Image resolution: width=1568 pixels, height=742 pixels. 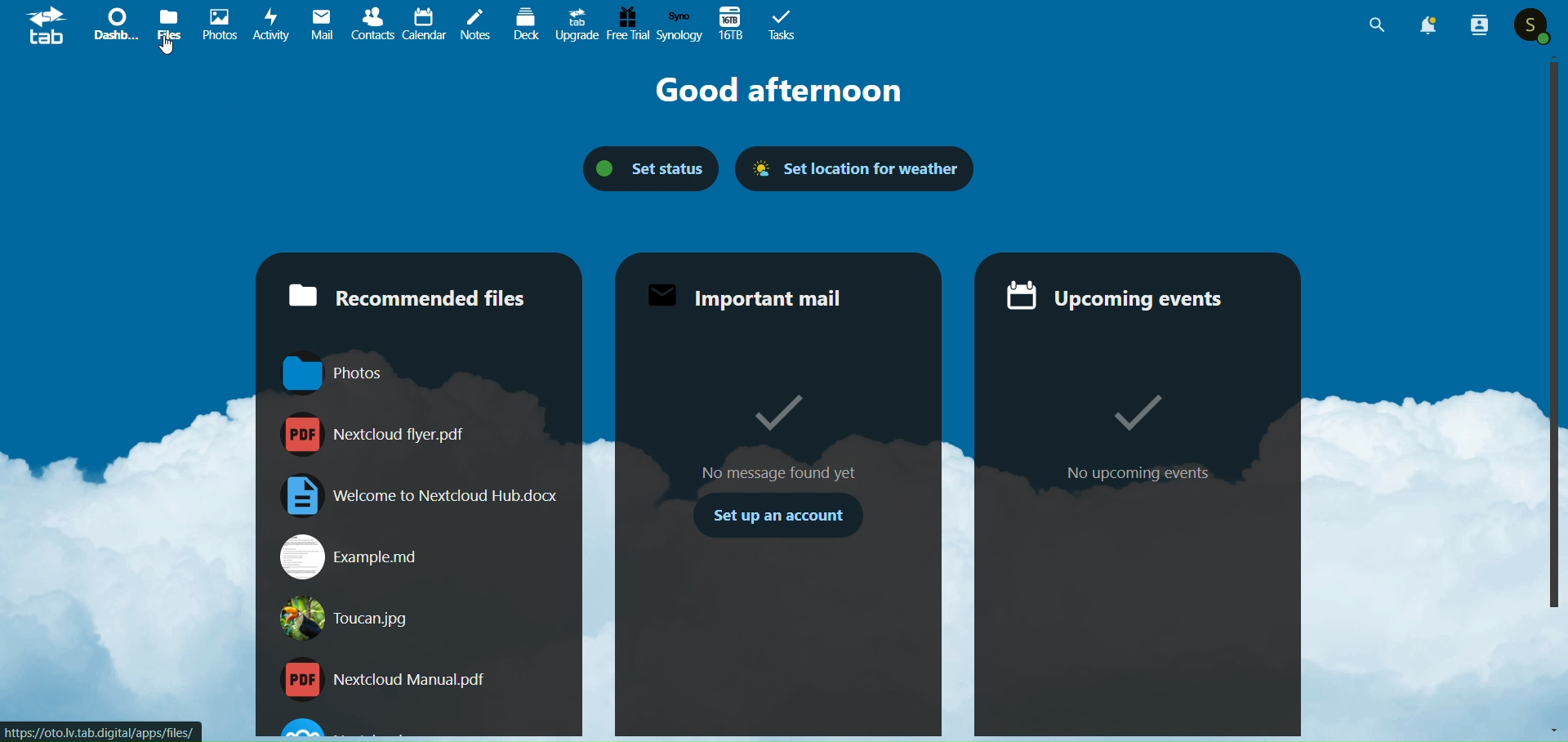 I want to click on notes, so click(x=476, y=25).